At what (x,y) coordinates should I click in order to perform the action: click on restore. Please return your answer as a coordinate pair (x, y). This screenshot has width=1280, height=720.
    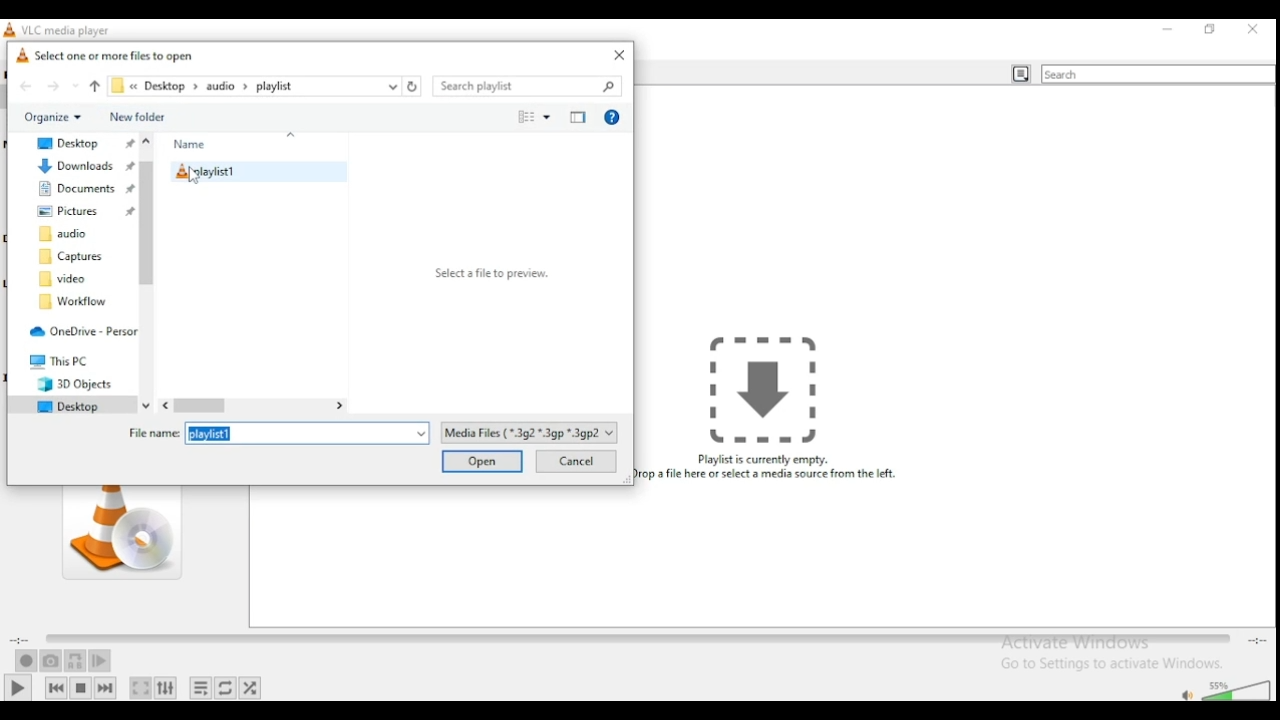
    Looking at the image, I should click on (1207, 31).